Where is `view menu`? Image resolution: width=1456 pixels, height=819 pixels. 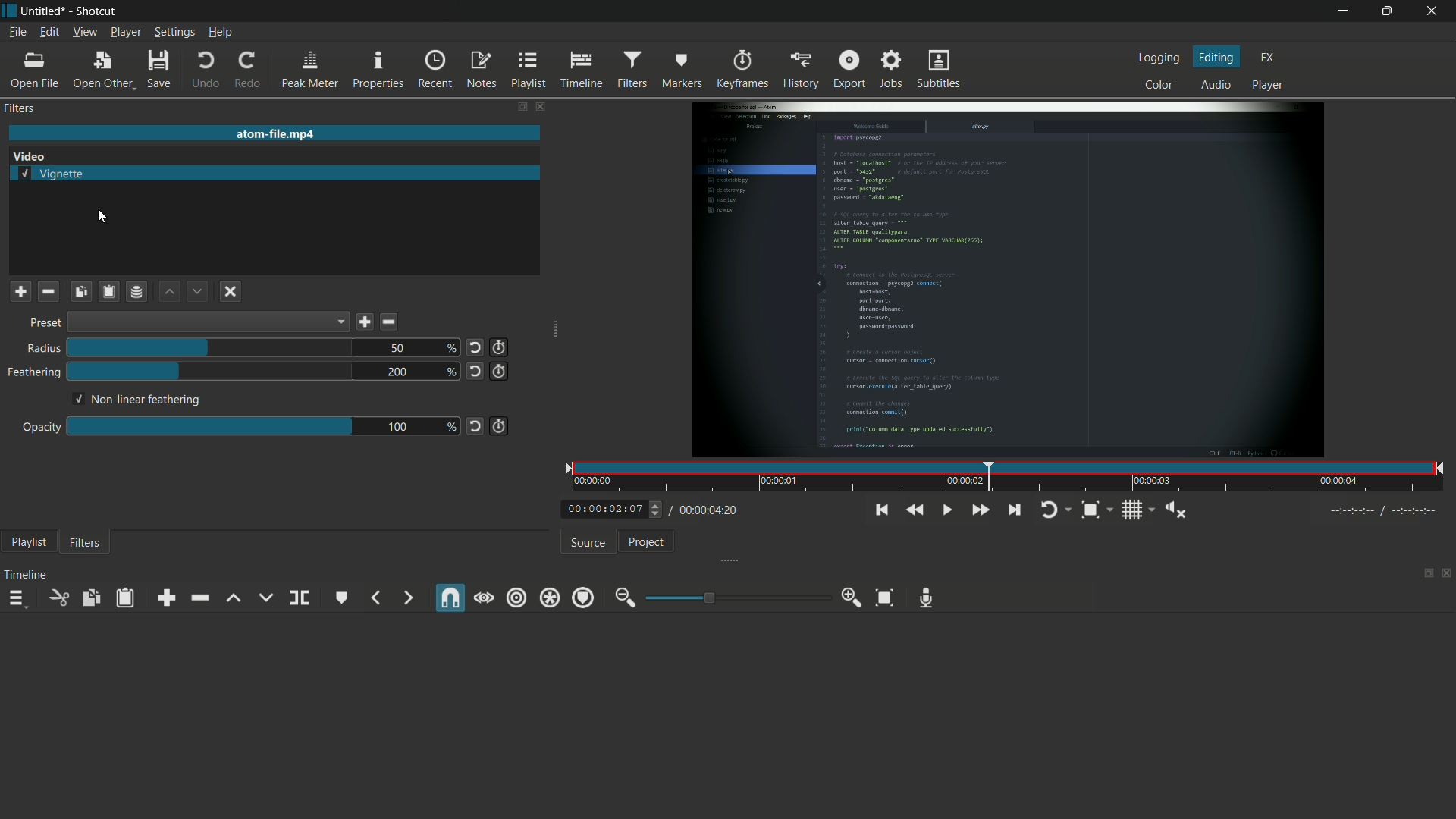
view menu is located at coordinates (85, 32).